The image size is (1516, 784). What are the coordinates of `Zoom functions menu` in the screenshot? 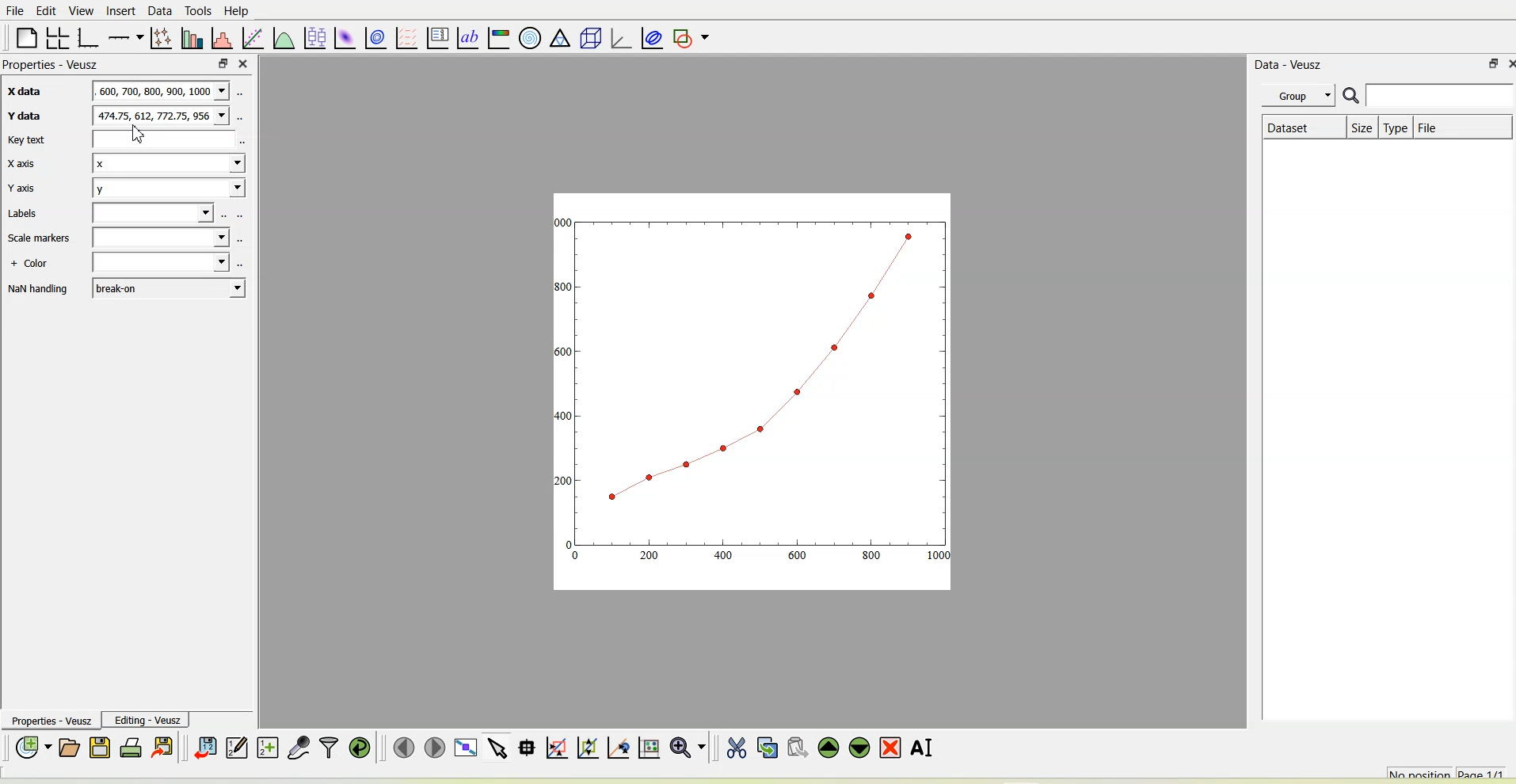 It's located at (688, 748).